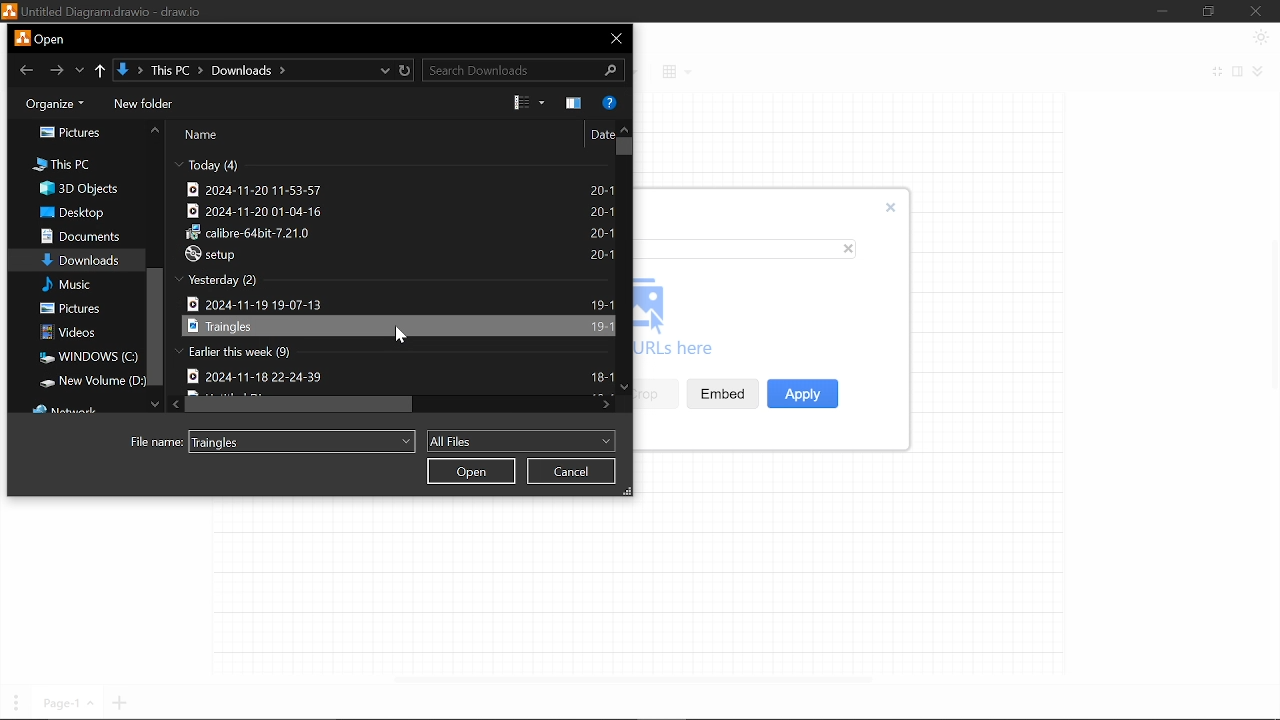 The height and width of the screenshot is (720, 1280). Describe the element at coordinates (513, 102) in the screenshot. I see `Change View` at that location.